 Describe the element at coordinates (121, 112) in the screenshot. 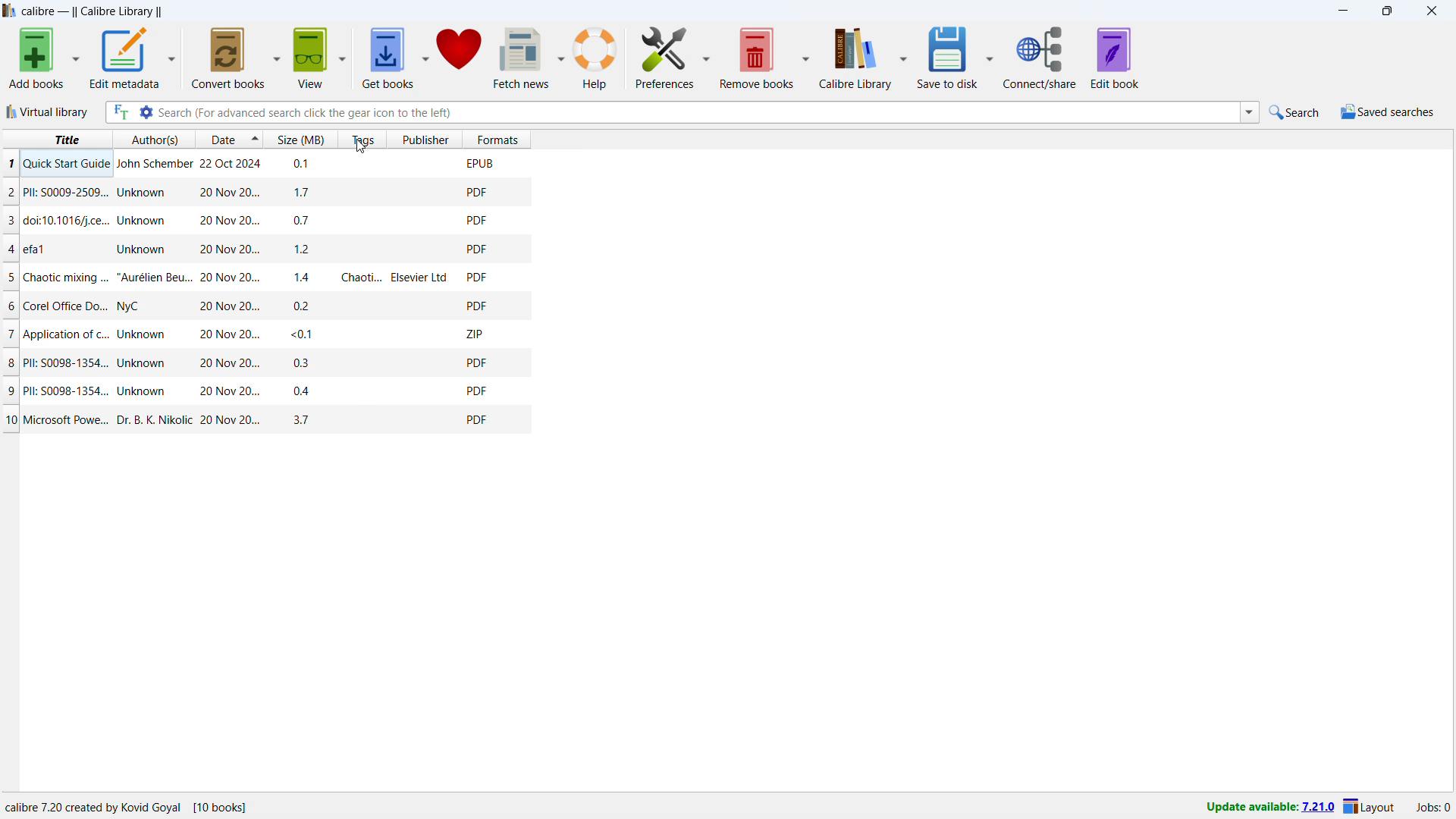

I see `full text search` at that location.